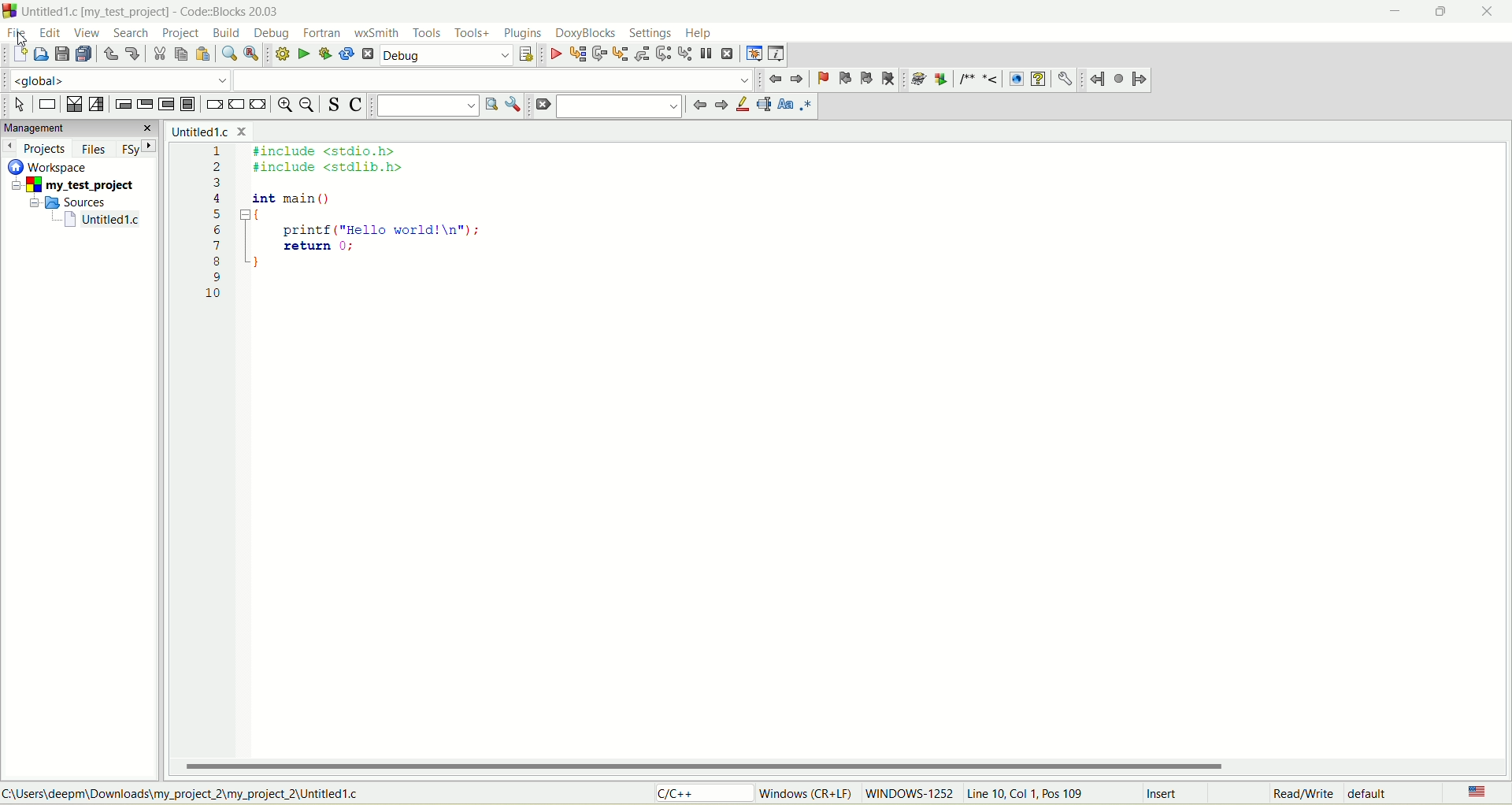 This screenshot has width=1512, height=805. What do you see at coordinates (1064, 79) in the screenshot?
I see `preferences` at bounding box center [1064, 79].